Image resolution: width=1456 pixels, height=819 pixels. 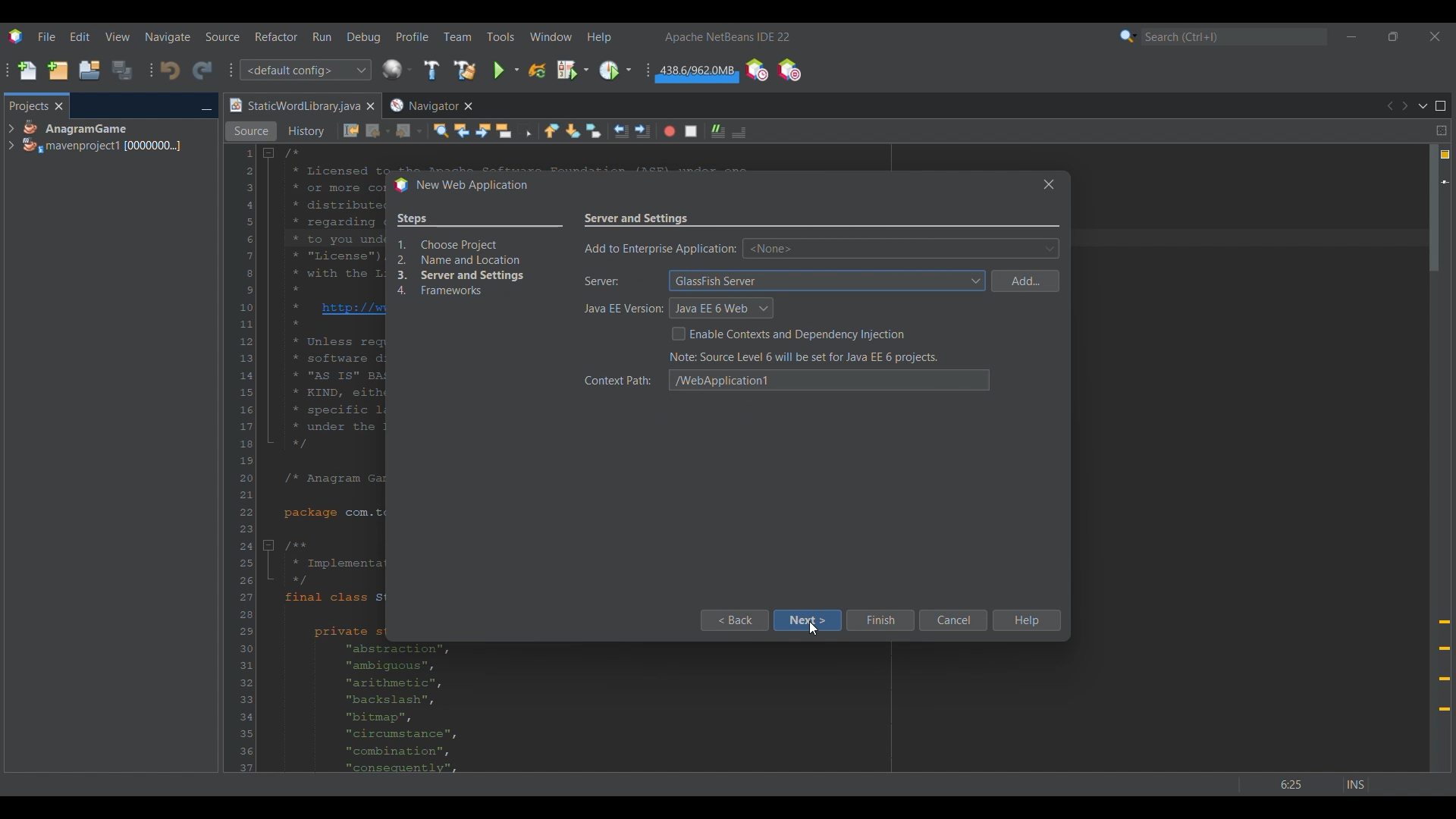 What do you see at coordinates (276, 36) in the screenshot?
I see `Refactor menu` at bounding box center [276, 36].